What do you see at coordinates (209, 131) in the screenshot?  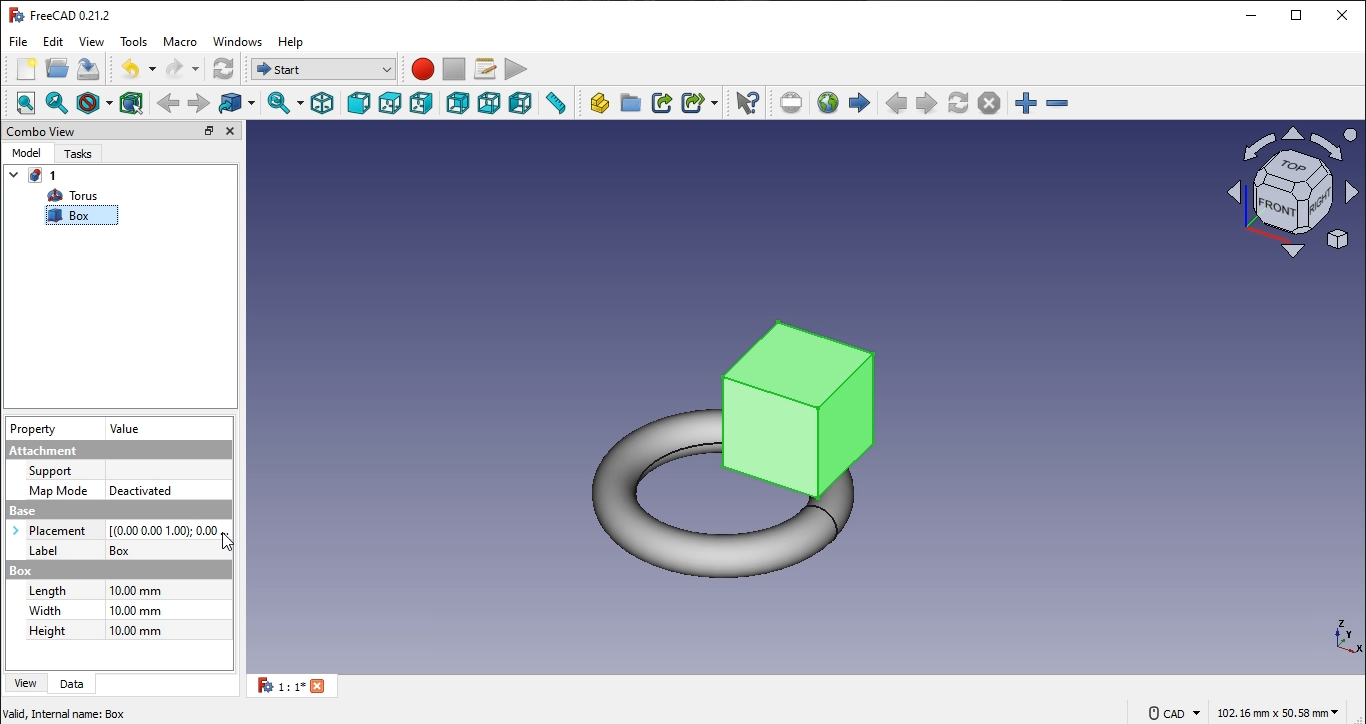 I see `restore` at bounding box center [209, 131].